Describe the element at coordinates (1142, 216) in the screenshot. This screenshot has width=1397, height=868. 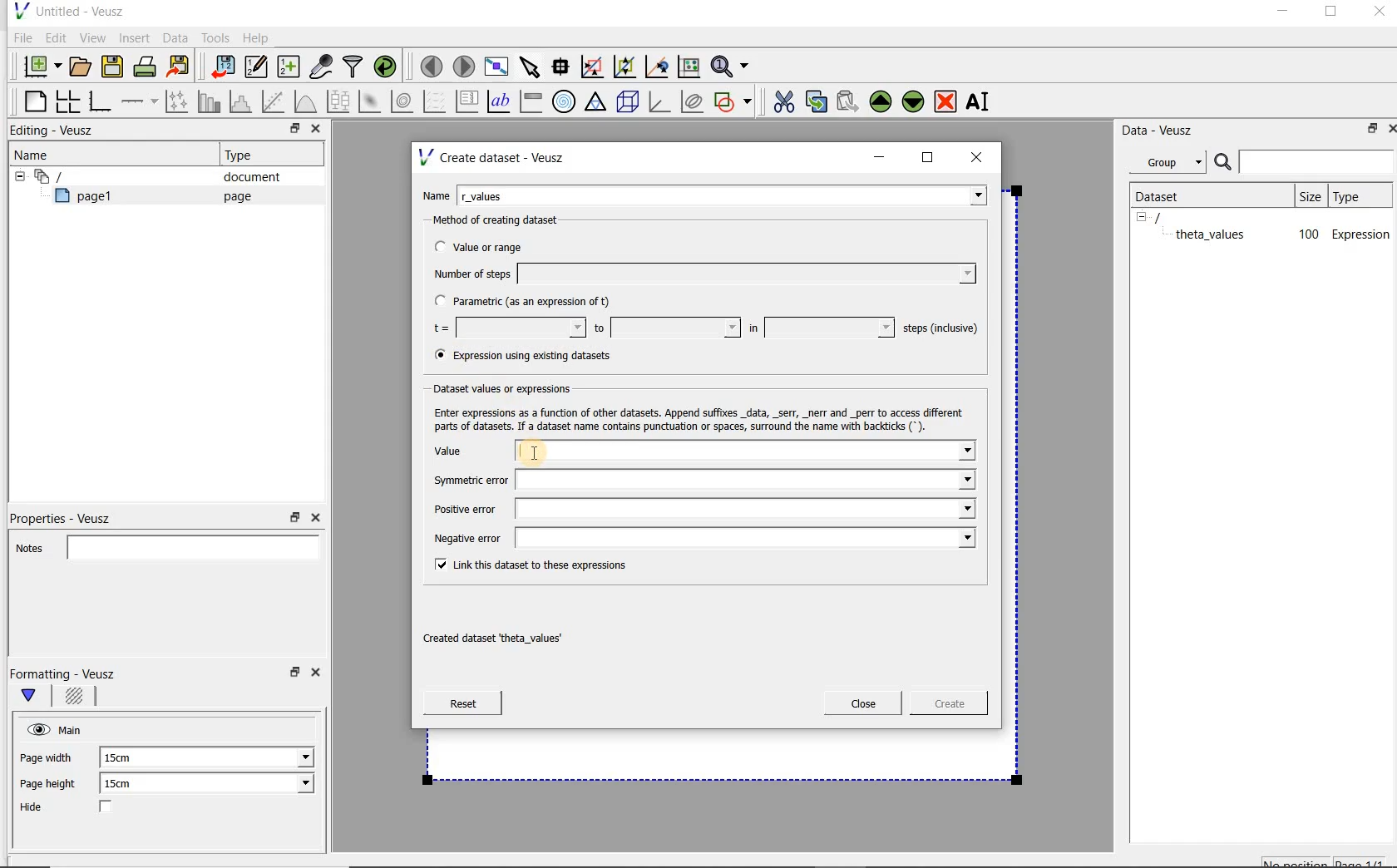
I see `hide sub menu` at that location.